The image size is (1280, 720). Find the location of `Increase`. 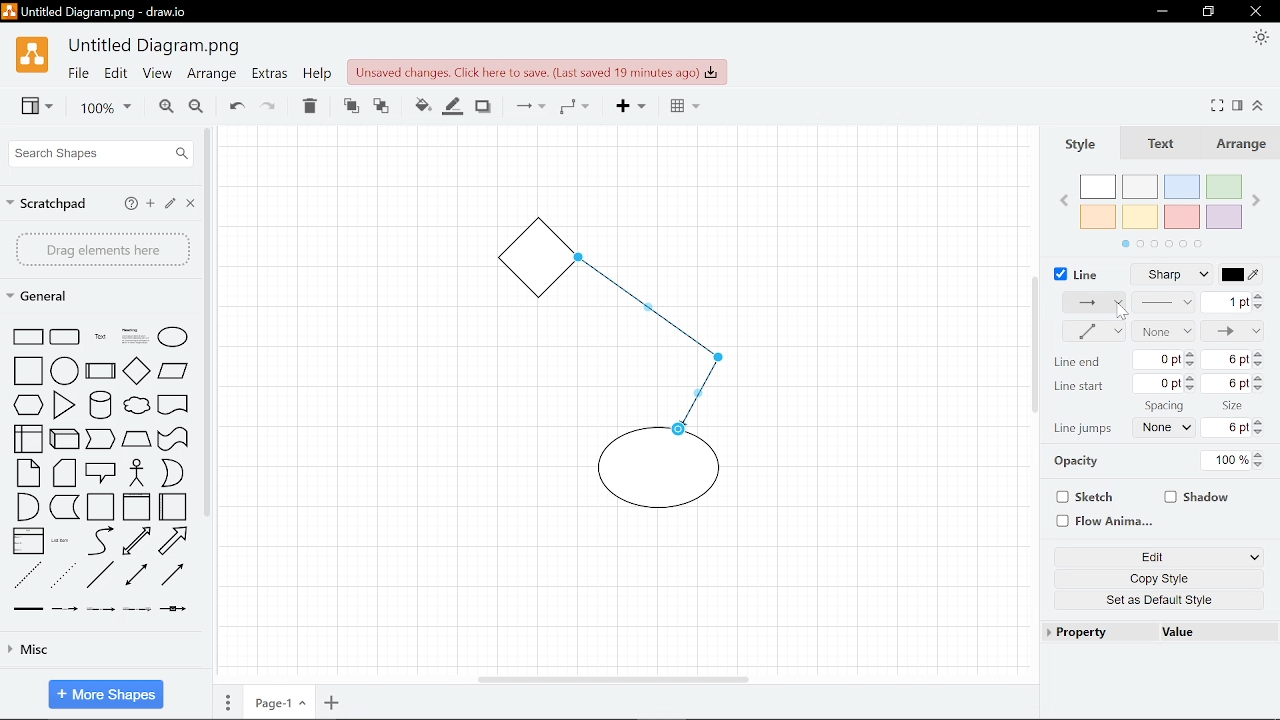

Increase is located at coordinates (1261, 422).